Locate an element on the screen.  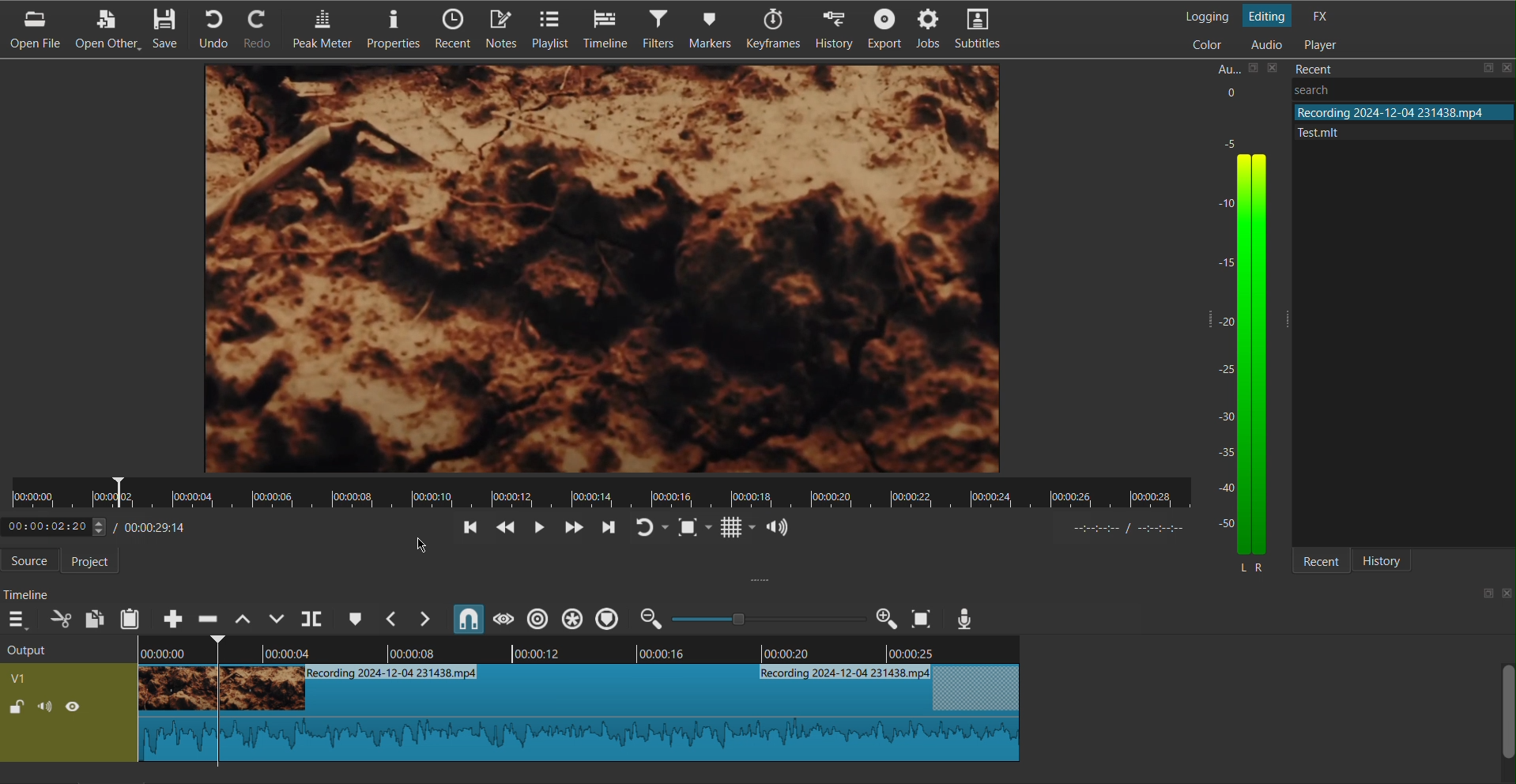
Go back is located at coordinates (470, 529).